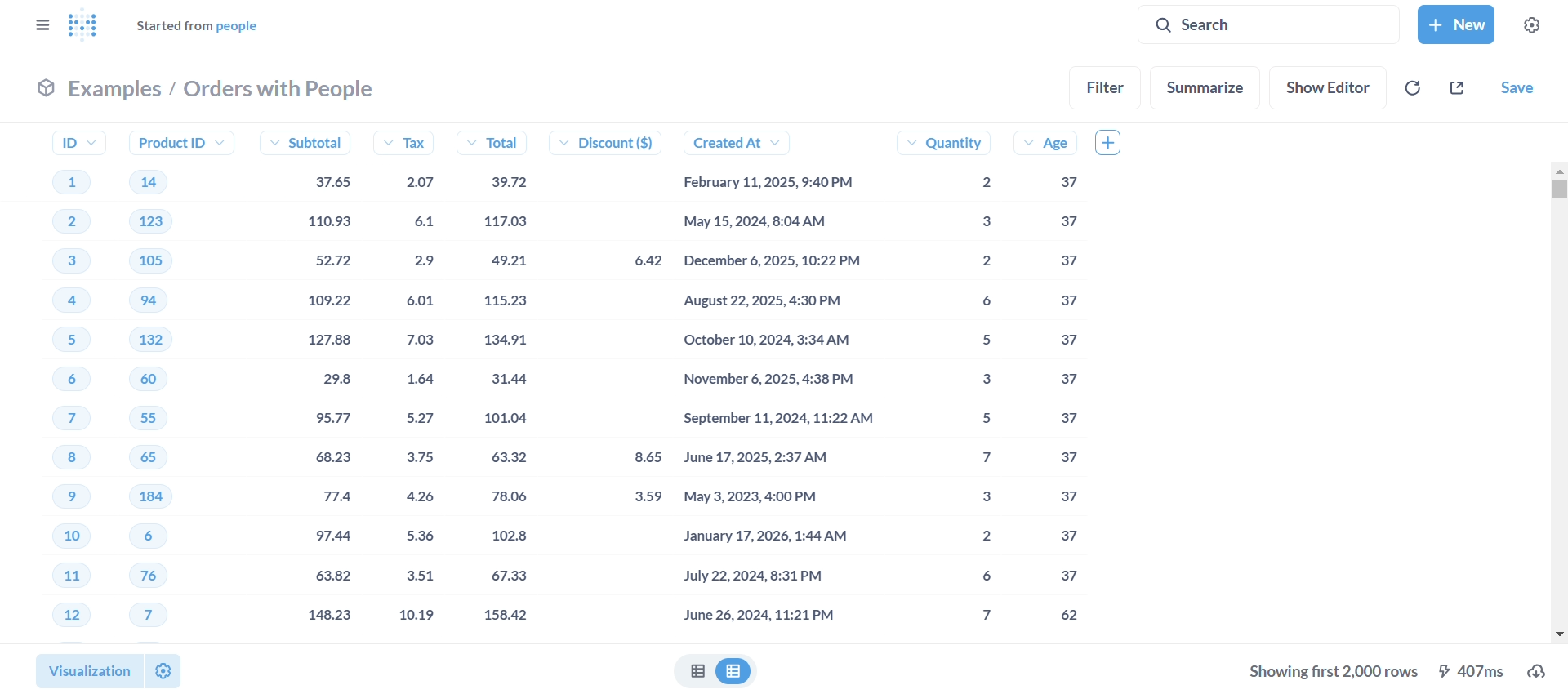 This screenshot has width=1568, height=694. Describe the element at coordinates (1111, 86) in the screenshot. I see `filter ` at that location.